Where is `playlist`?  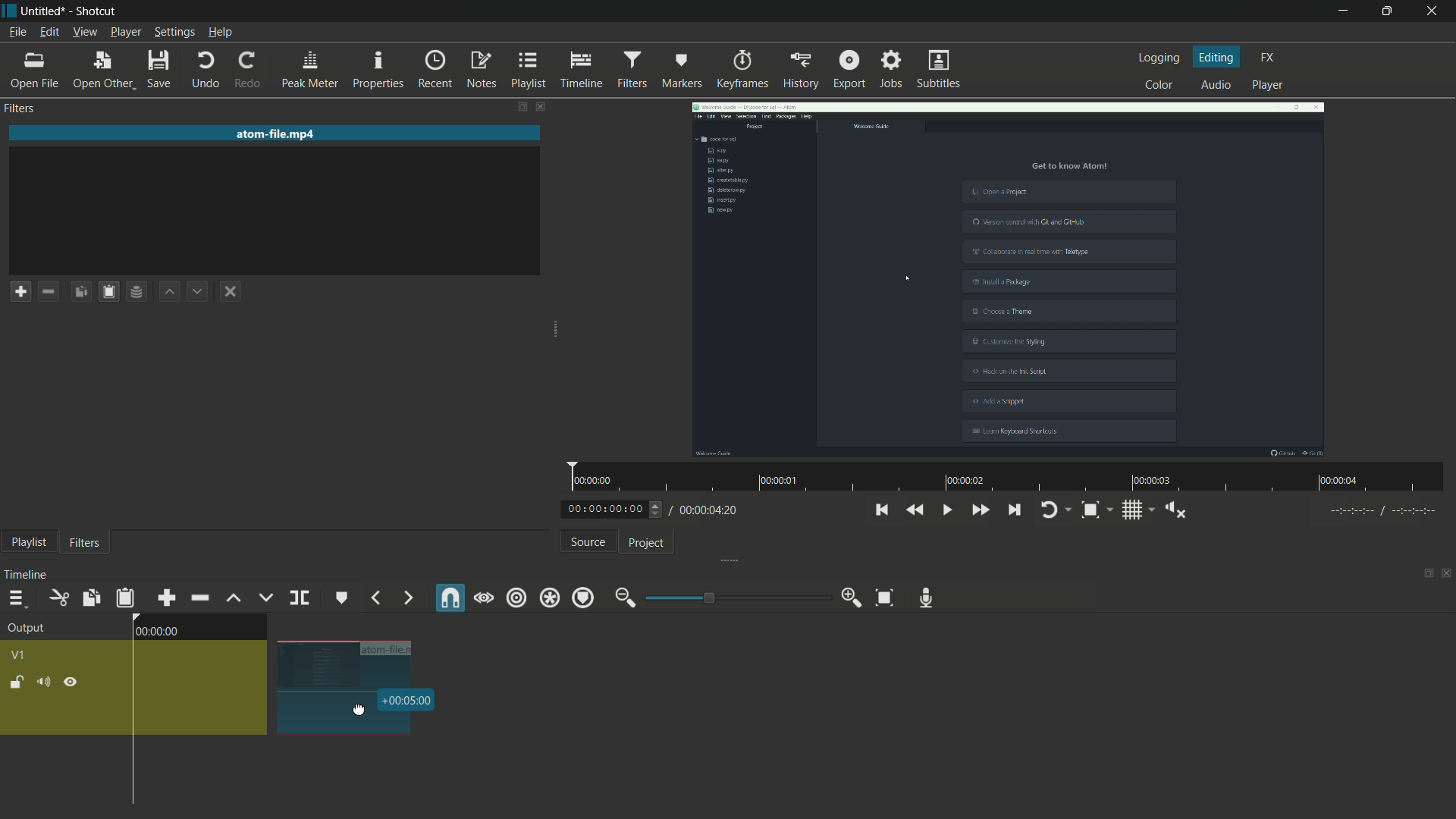 playlist is located at coordinates (526, 69).